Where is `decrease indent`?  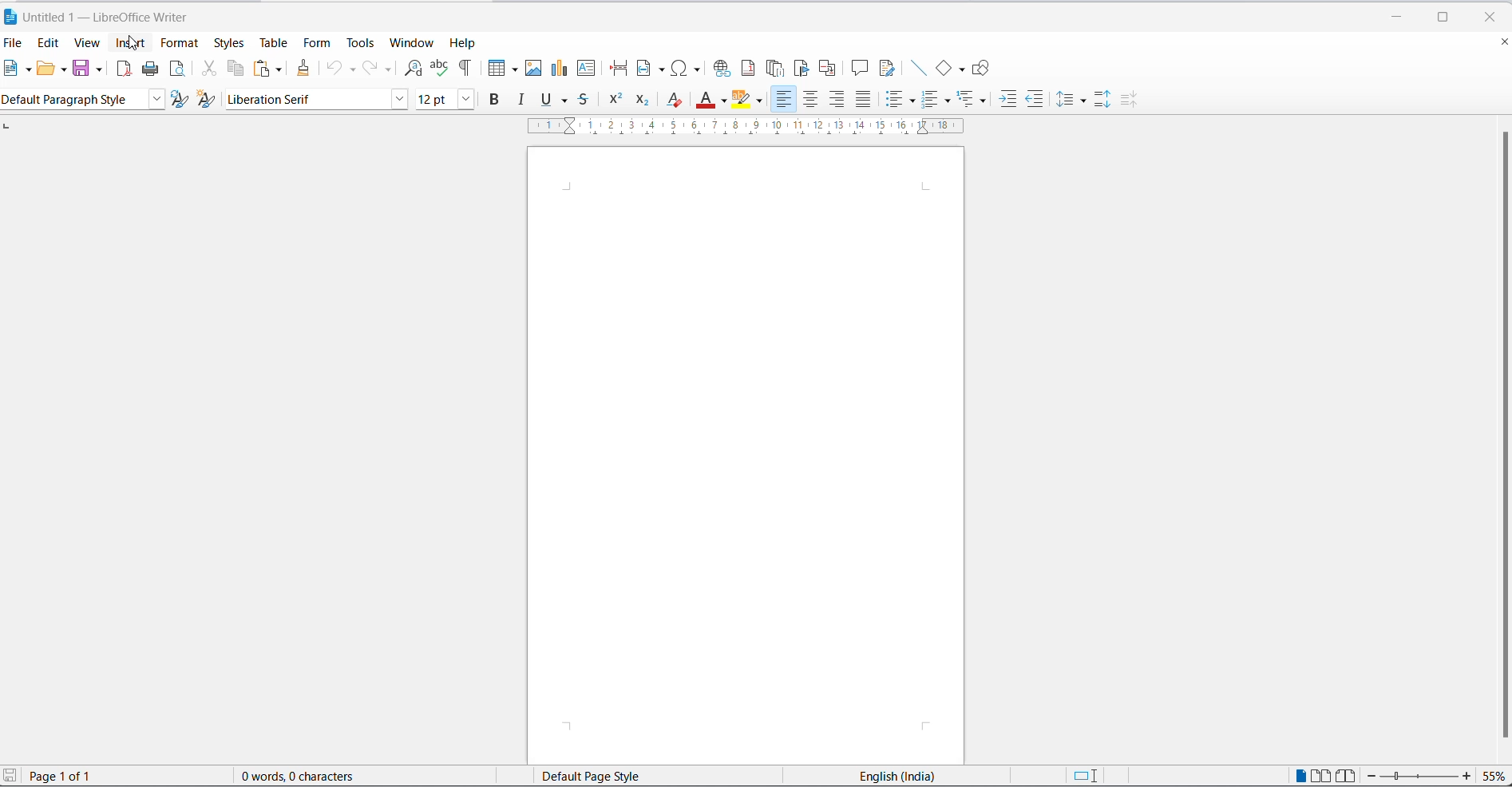 decrease indent is located at coordinates (1035, 100).